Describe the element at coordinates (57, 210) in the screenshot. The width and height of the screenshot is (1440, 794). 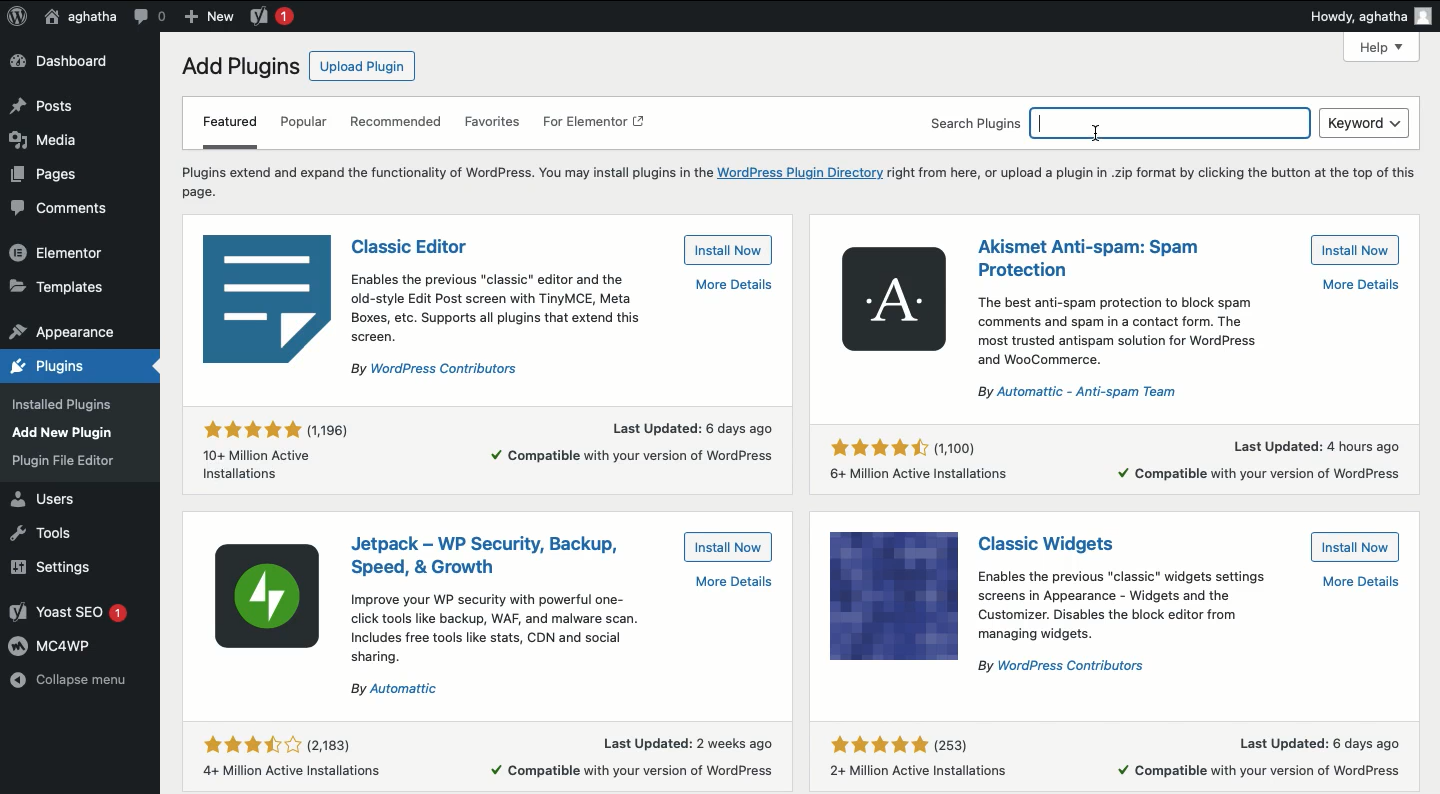
I see `Comments` at that location.